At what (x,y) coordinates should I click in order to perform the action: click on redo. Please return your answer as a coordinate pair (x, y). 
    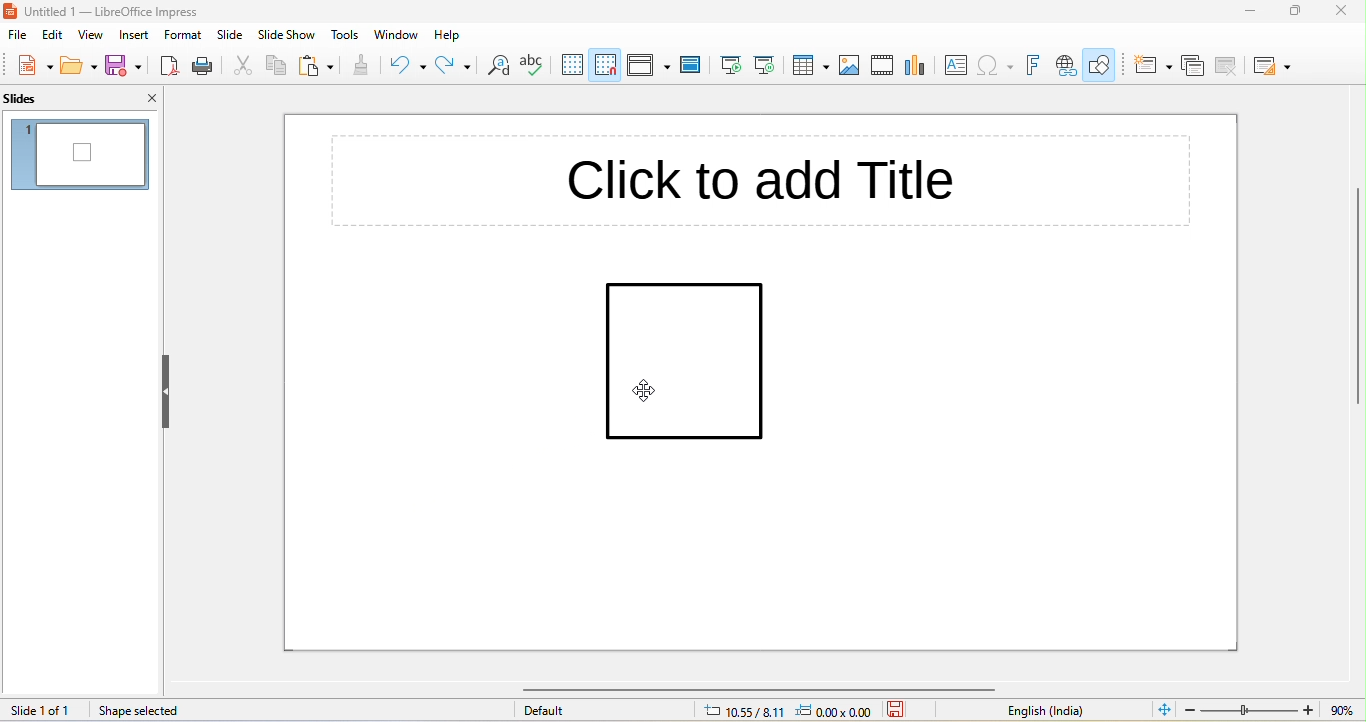
    Looking at the image, I should click on (453, 63).